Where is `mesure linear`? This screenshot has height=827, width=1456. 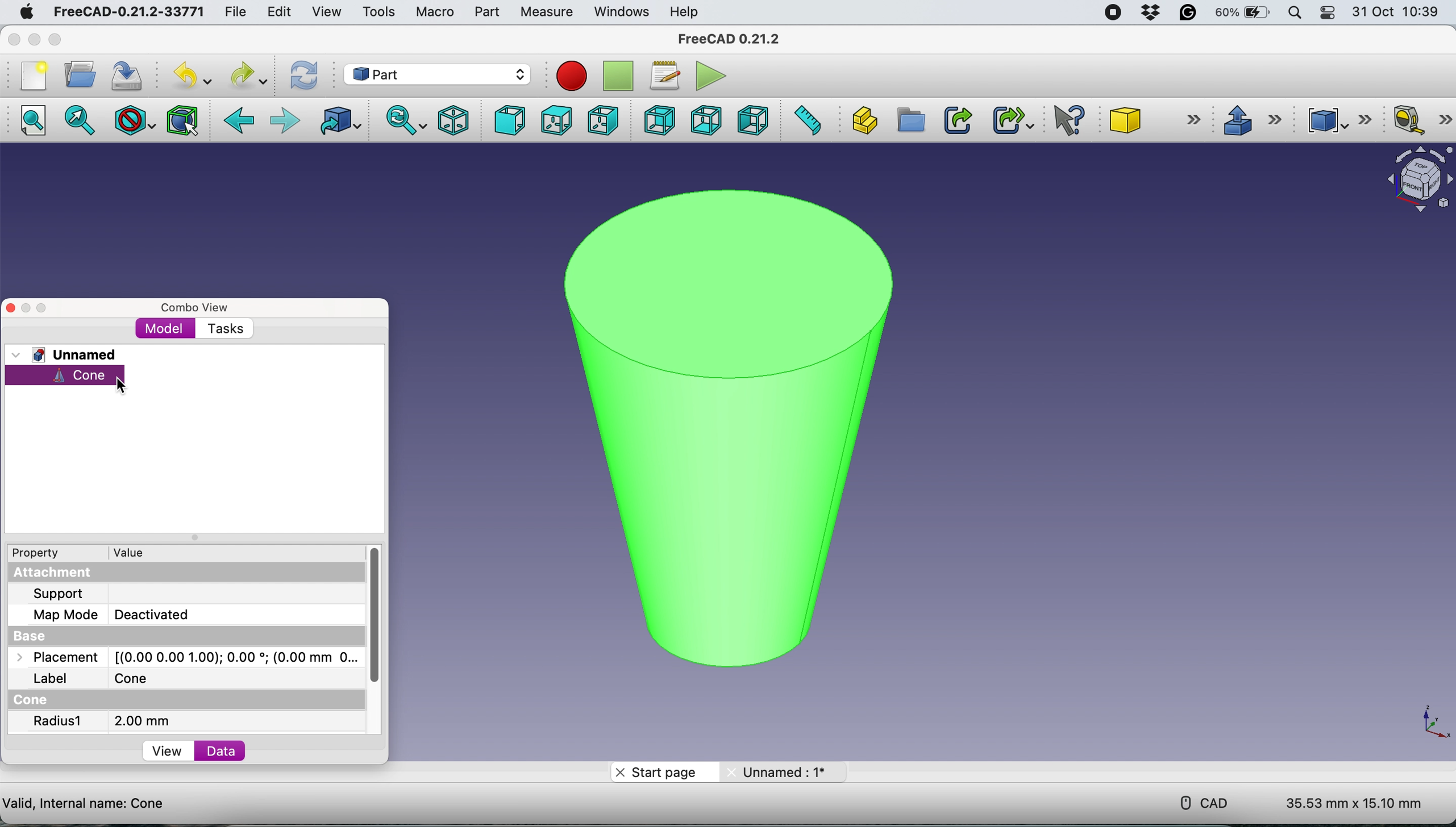
mesure linear is located at coordinates (1418, 122).